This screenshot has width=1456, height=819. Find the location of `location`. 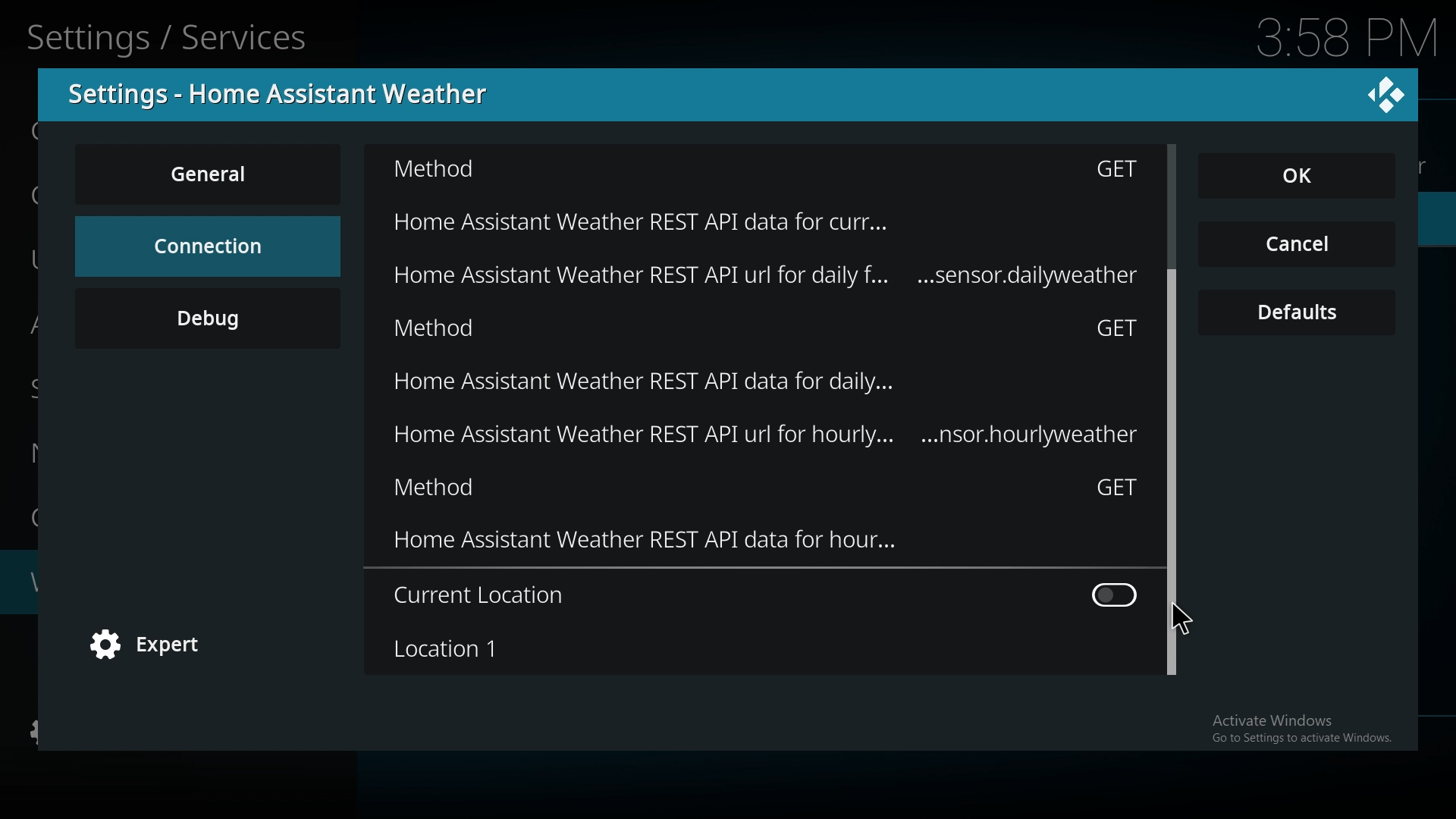

location is located at coordinates (758, 648).